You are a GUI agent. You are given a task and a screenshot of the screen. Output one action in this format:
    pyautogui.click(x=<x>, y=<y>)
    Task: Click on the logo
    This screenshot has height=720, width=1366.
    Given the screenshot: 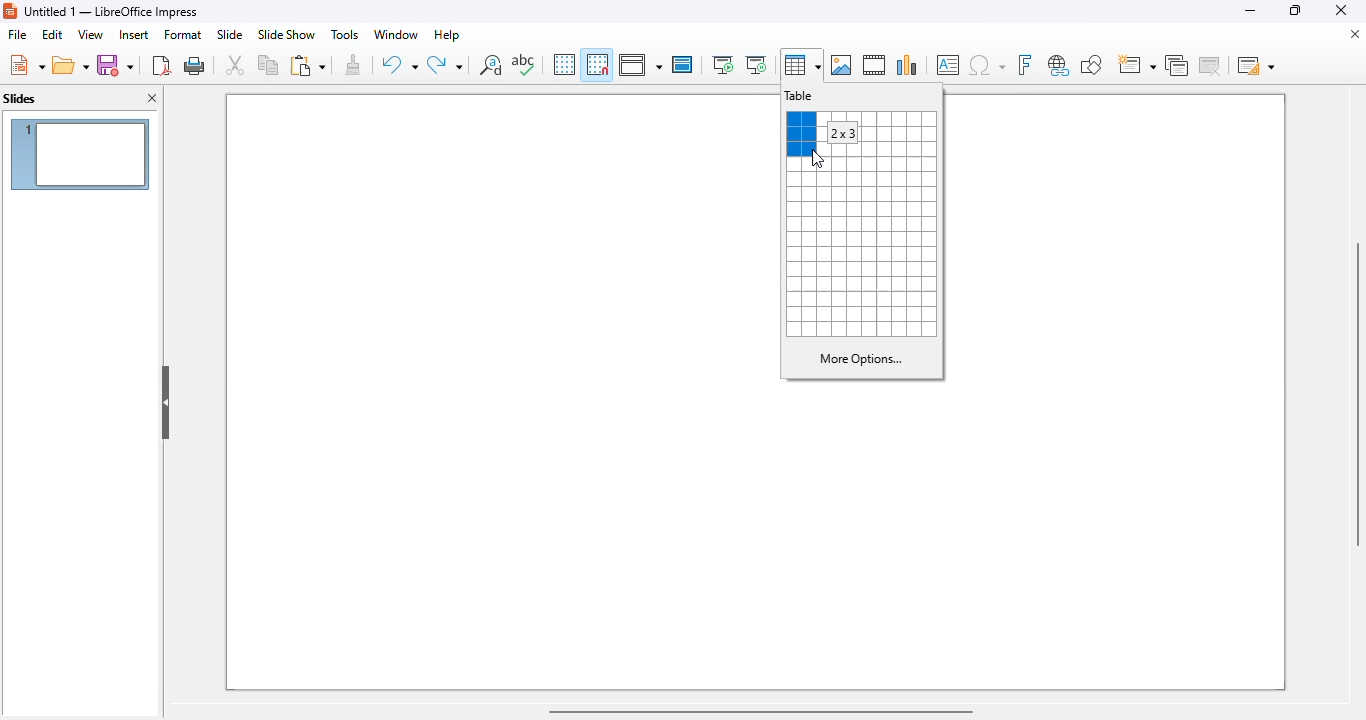 What is the action you would take?
    pyautogui.click(x=10, y=12)
    